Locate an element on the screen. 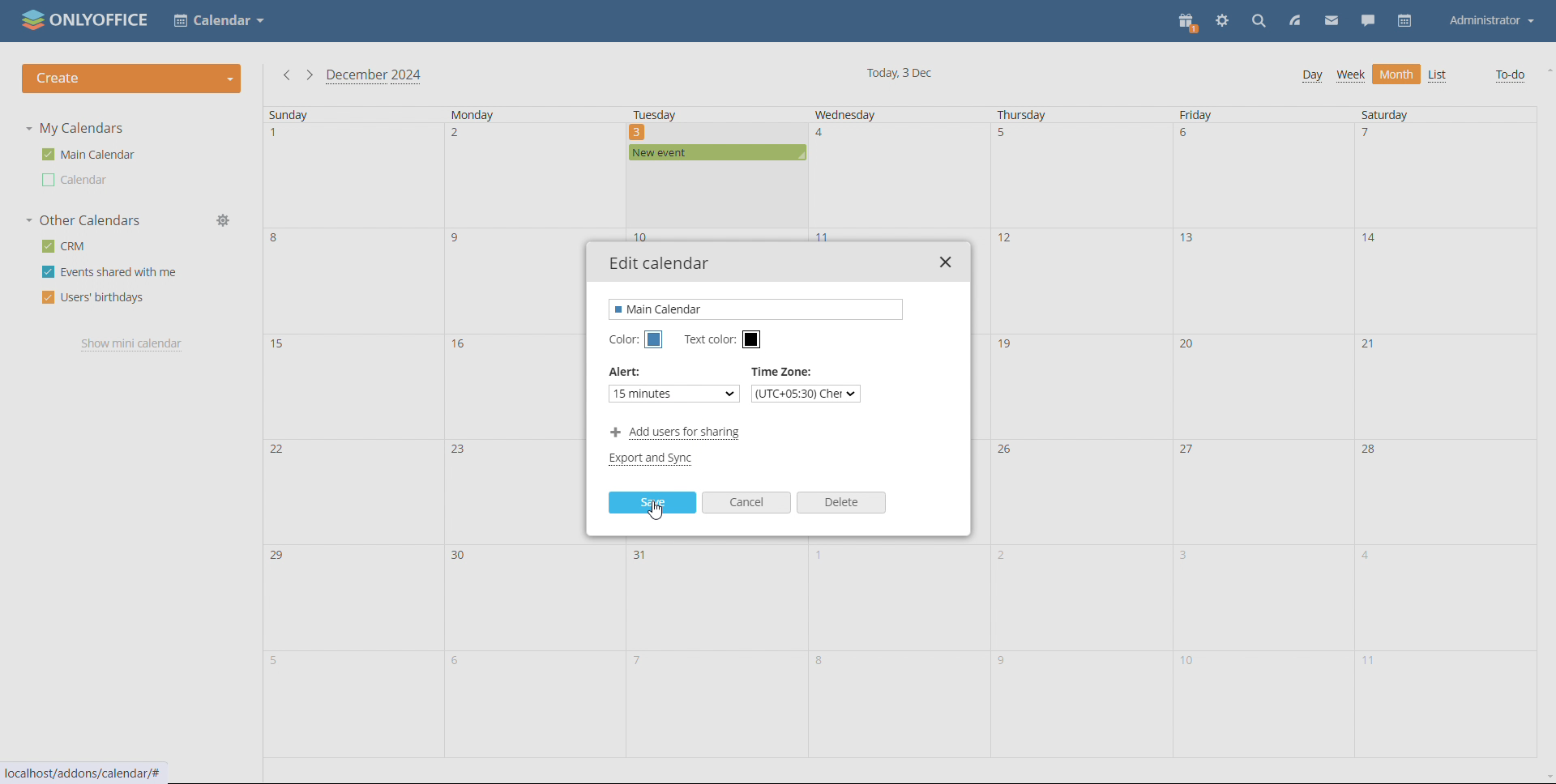 The height and width of the screenshot is (784, 1556). wednesday is located at coordinates (867, 114).